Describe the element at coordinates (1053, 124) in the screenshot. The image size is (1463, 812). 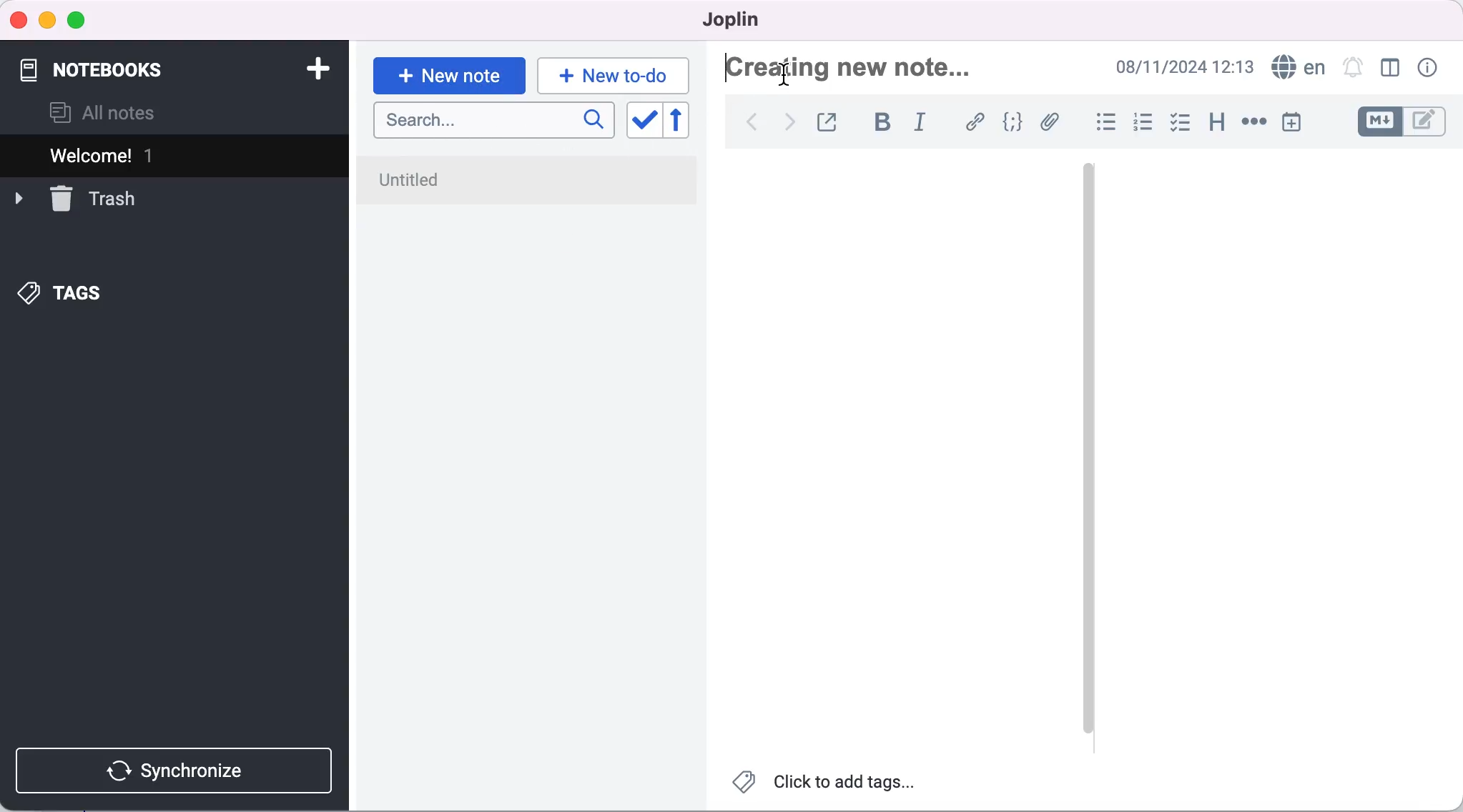
I see `add file` at that location.